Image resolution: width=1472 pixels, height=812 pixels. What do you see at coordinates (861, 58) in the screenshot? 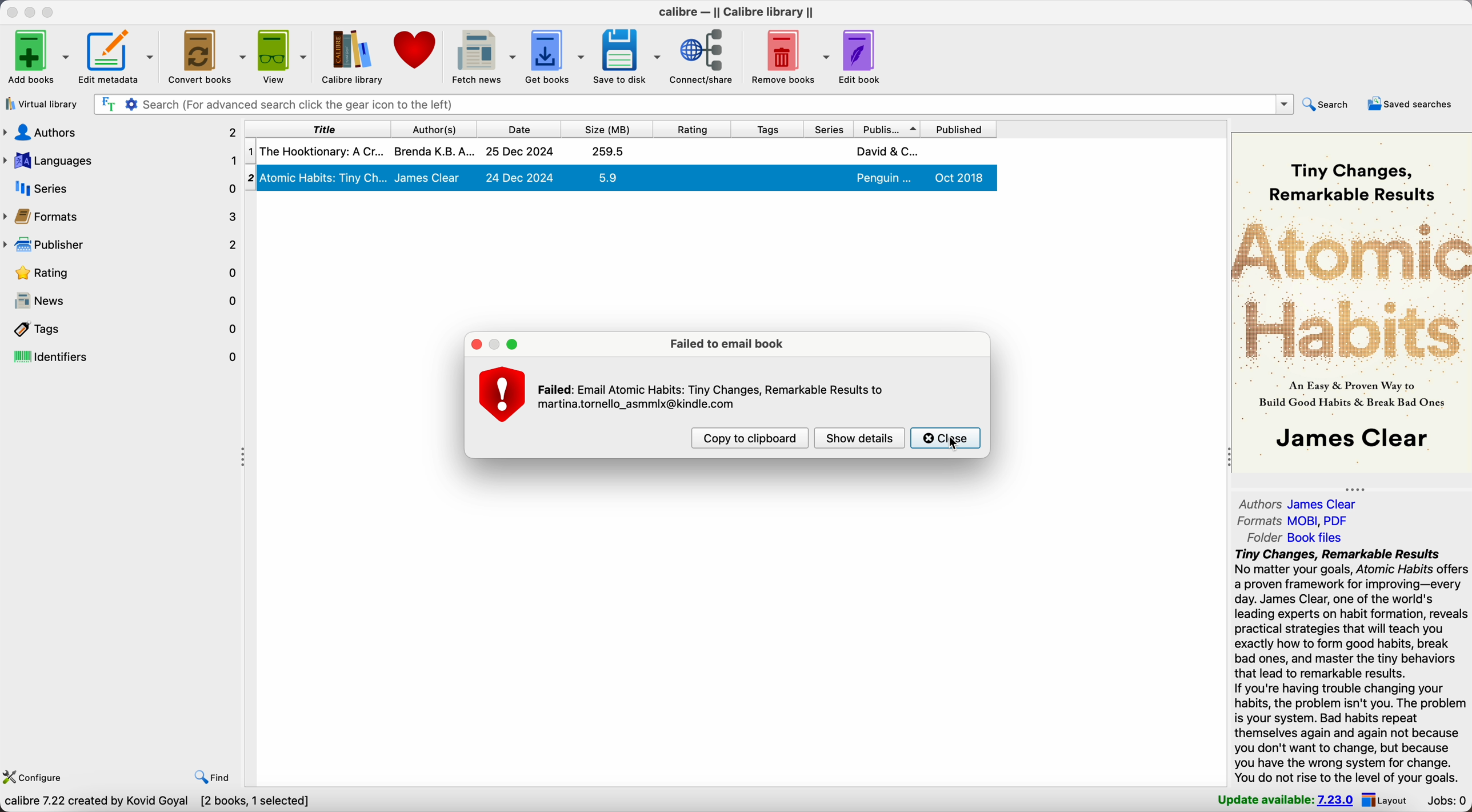
I see `edit book` at bounding box center [861, 58].